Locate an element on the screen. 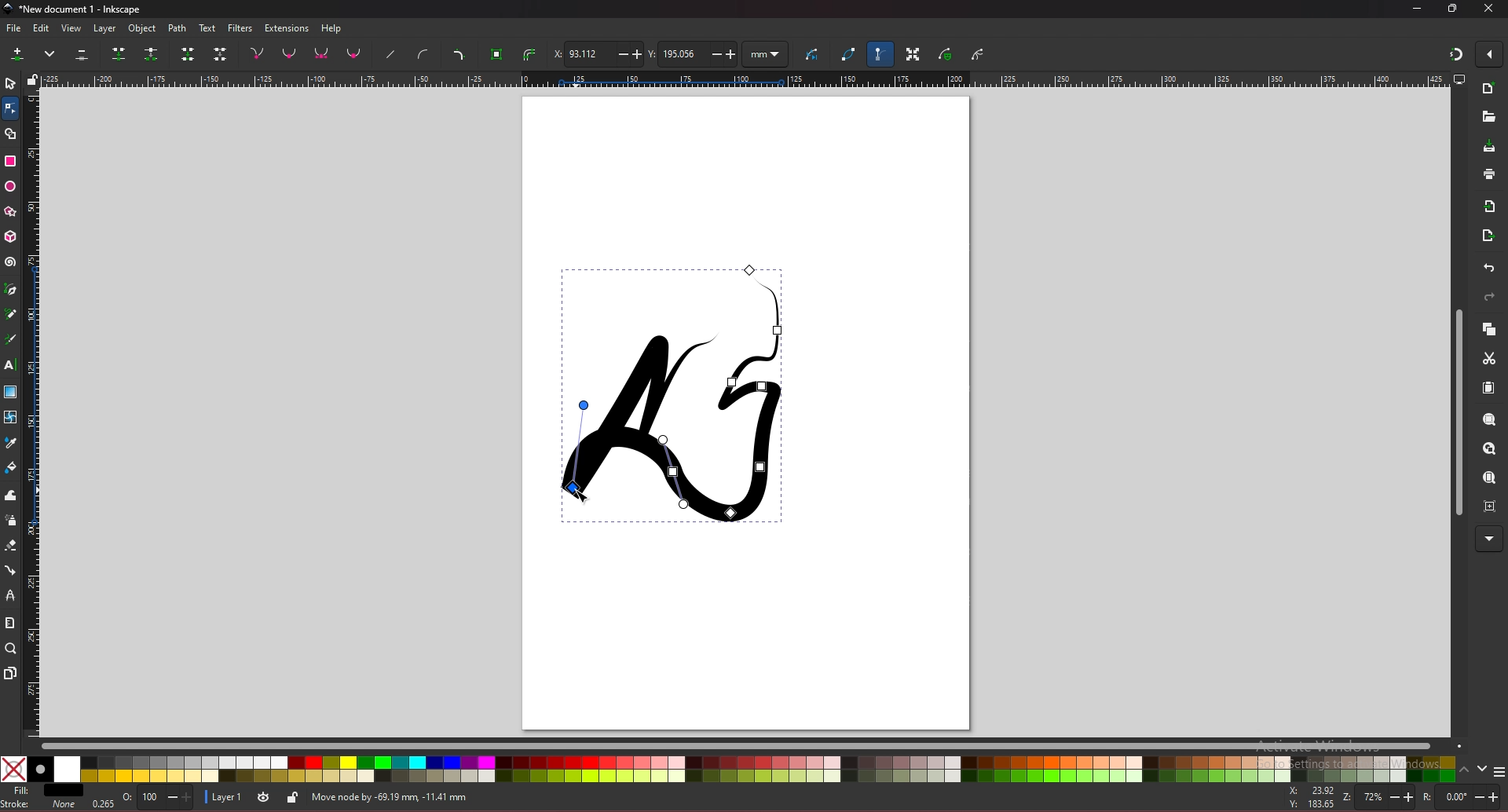  measure is located at coordinates (10, 621).